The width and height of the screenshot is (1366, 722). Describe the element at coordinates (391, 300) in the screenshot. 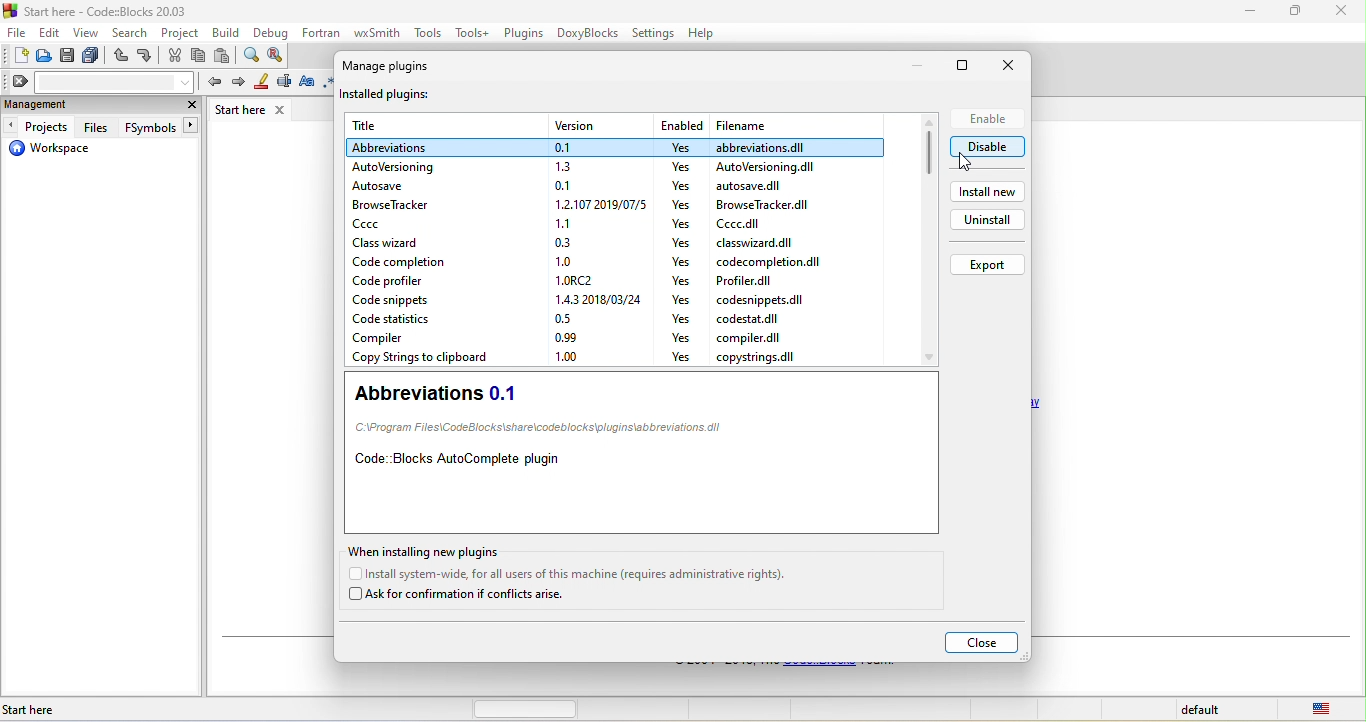

I see `code snippets` at that location.